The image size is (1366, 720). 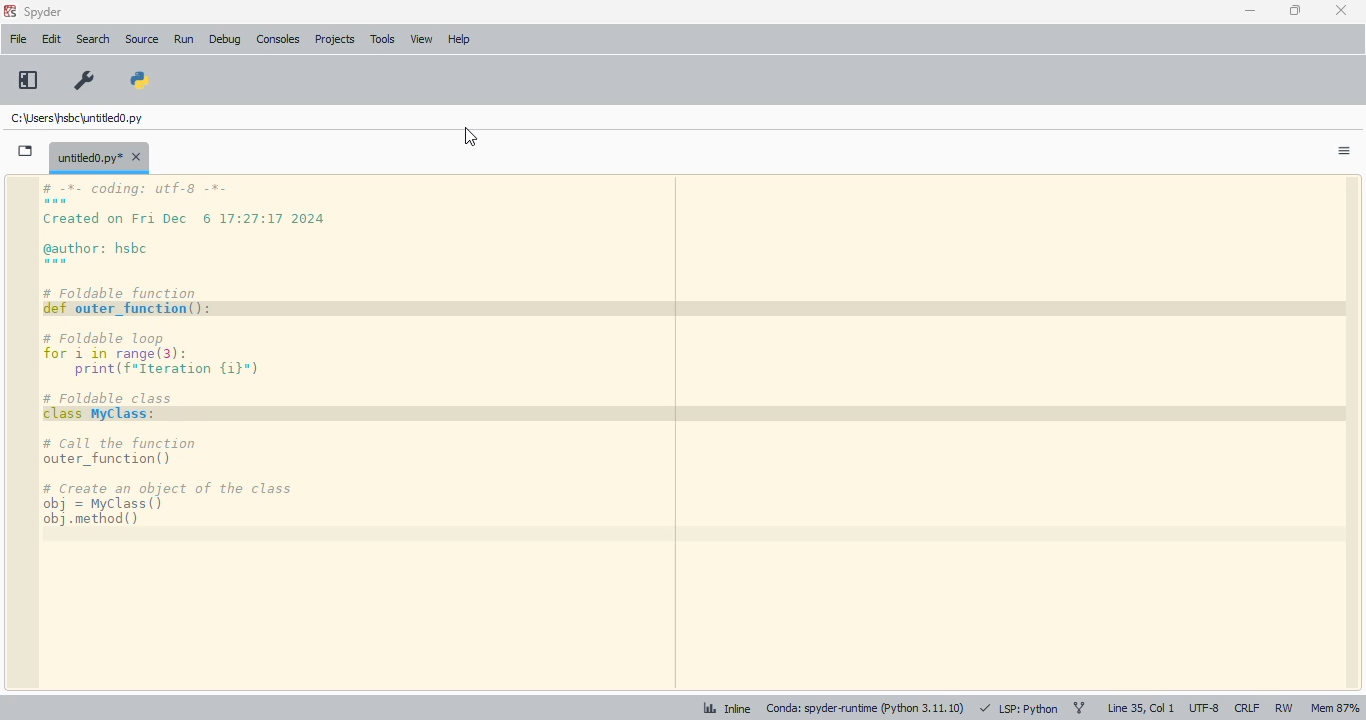 I want to click on line 35, col 1, so click(x=1141, y=709).